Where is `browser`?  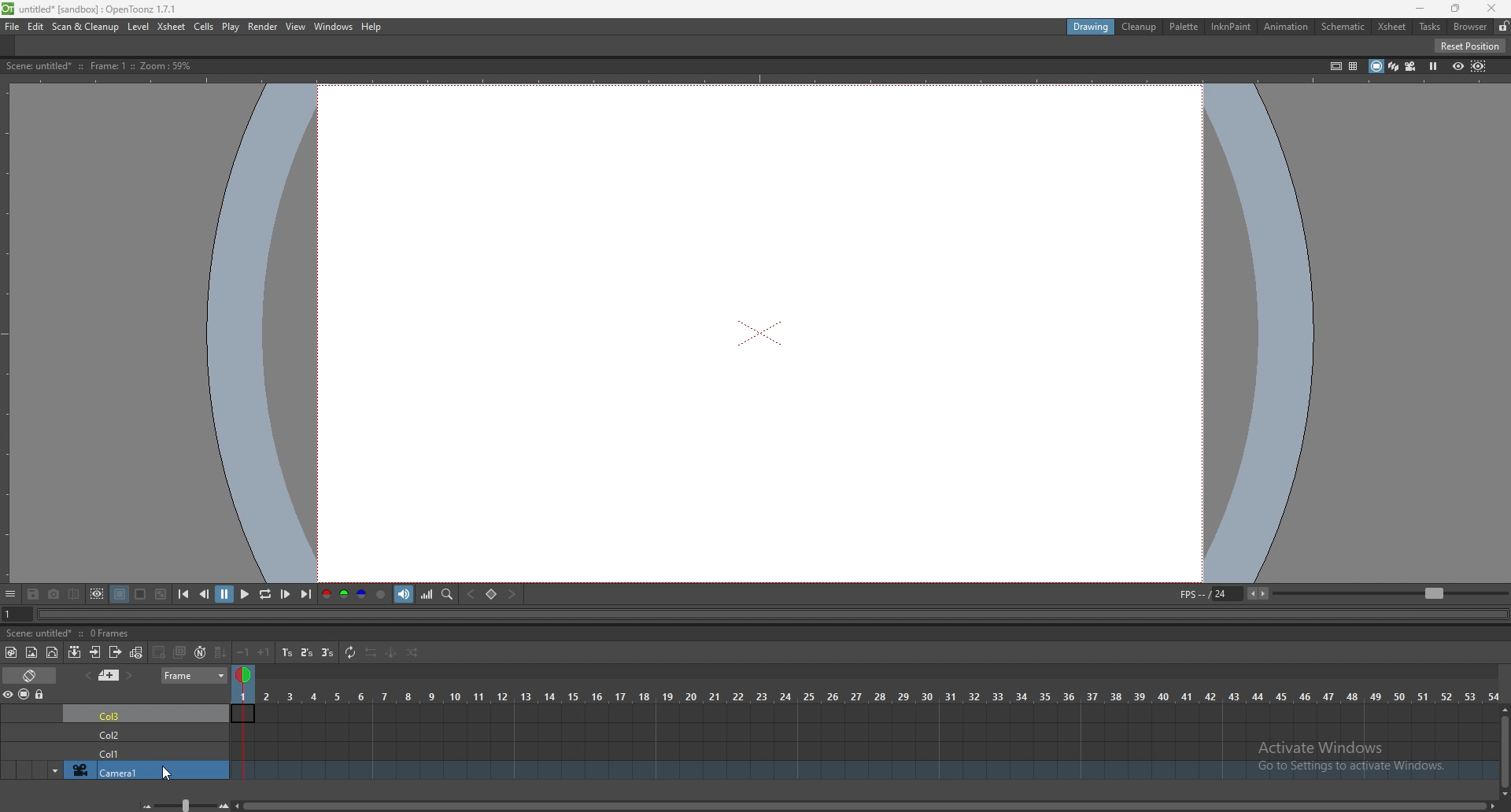 browser is located at coordinates (1470, 26).